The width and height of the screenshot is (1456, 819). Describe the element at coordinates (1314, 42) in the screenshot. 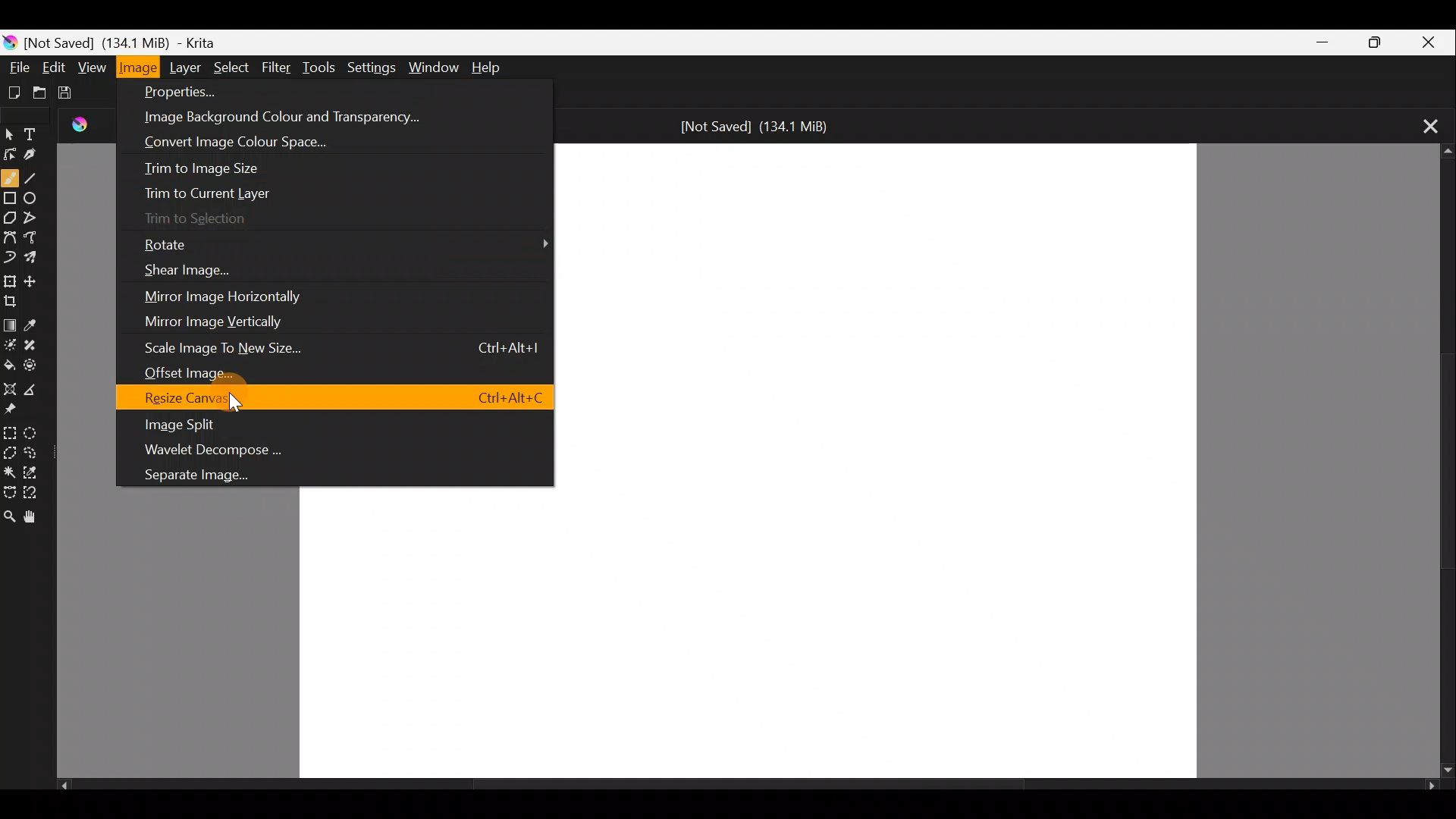

I see `Minimize` at that location.